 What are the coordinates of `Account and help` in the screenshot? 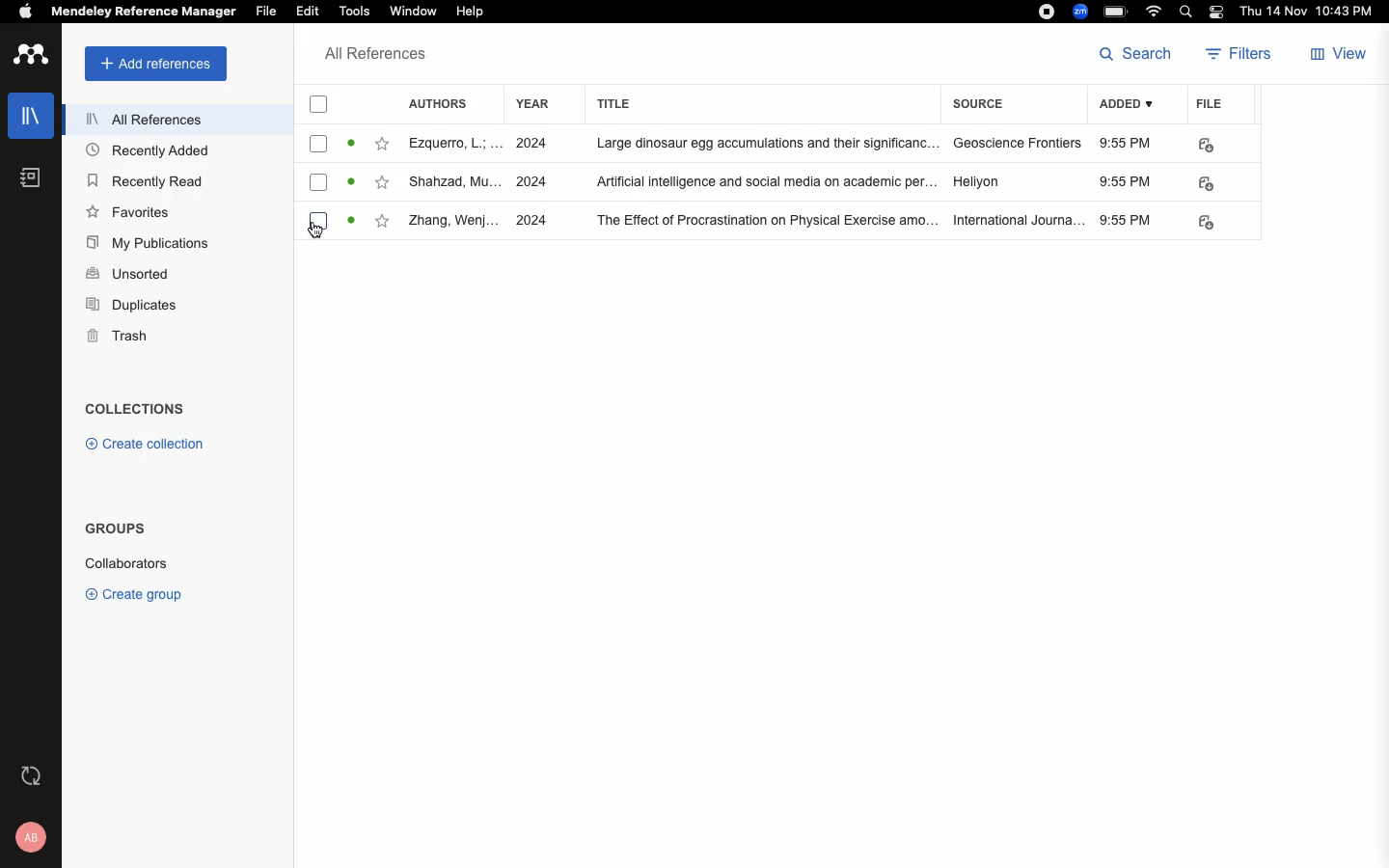 It's located at (33, 837).